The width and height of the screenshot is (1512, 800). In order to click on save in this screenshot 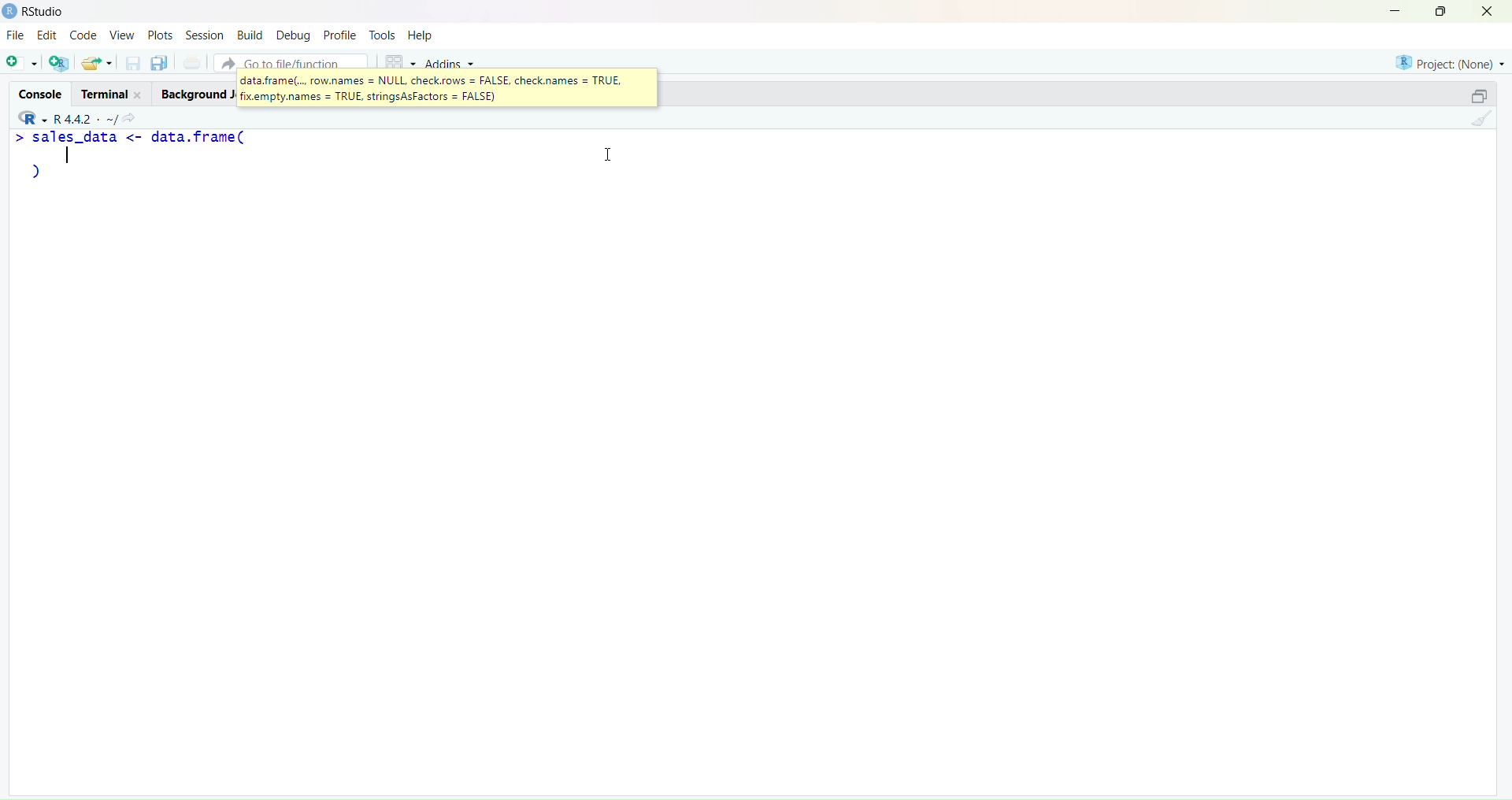, I will do `click(132, 67)`.